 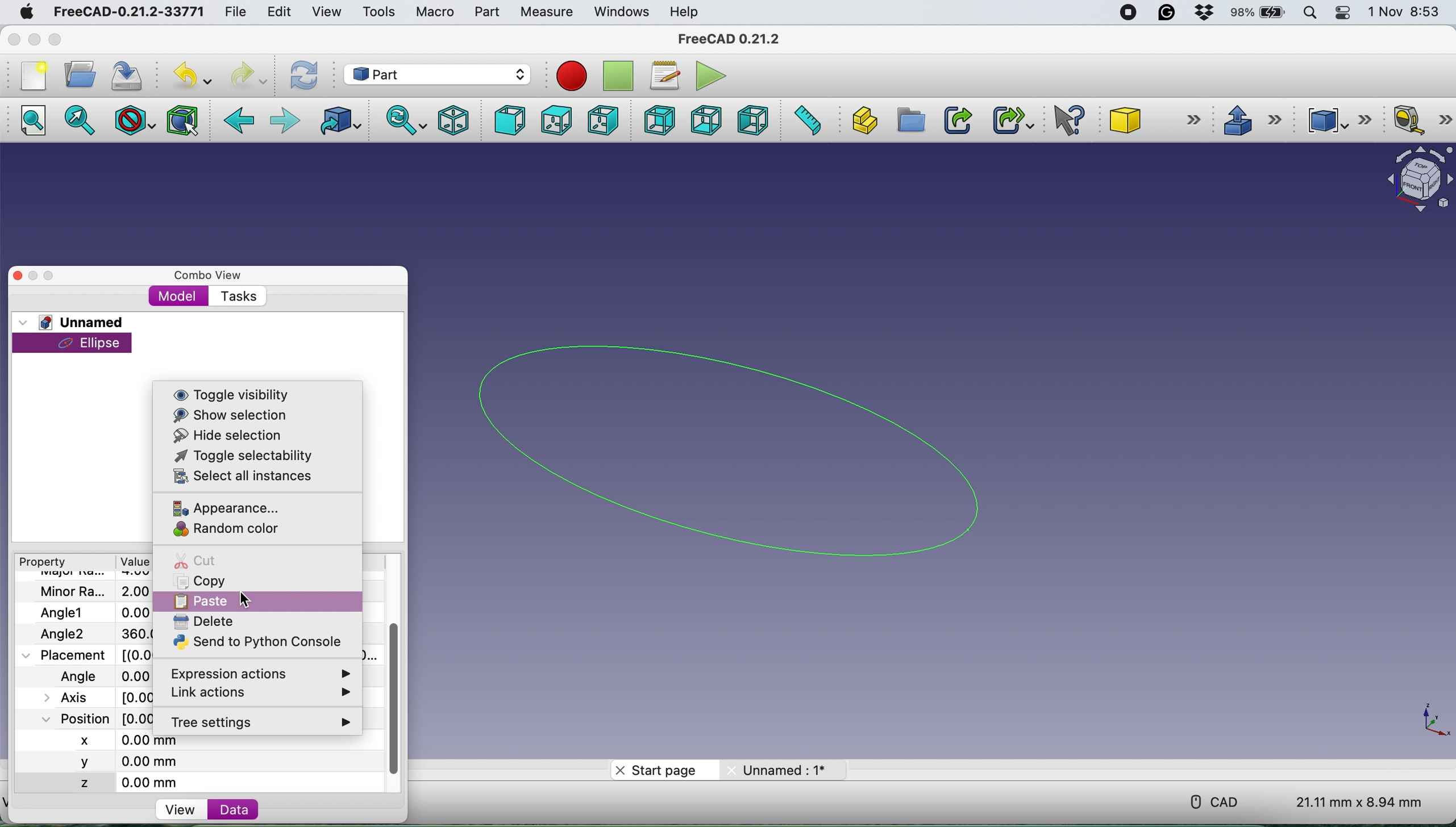 I want to click on fit selection, so click(x=80, y=120).